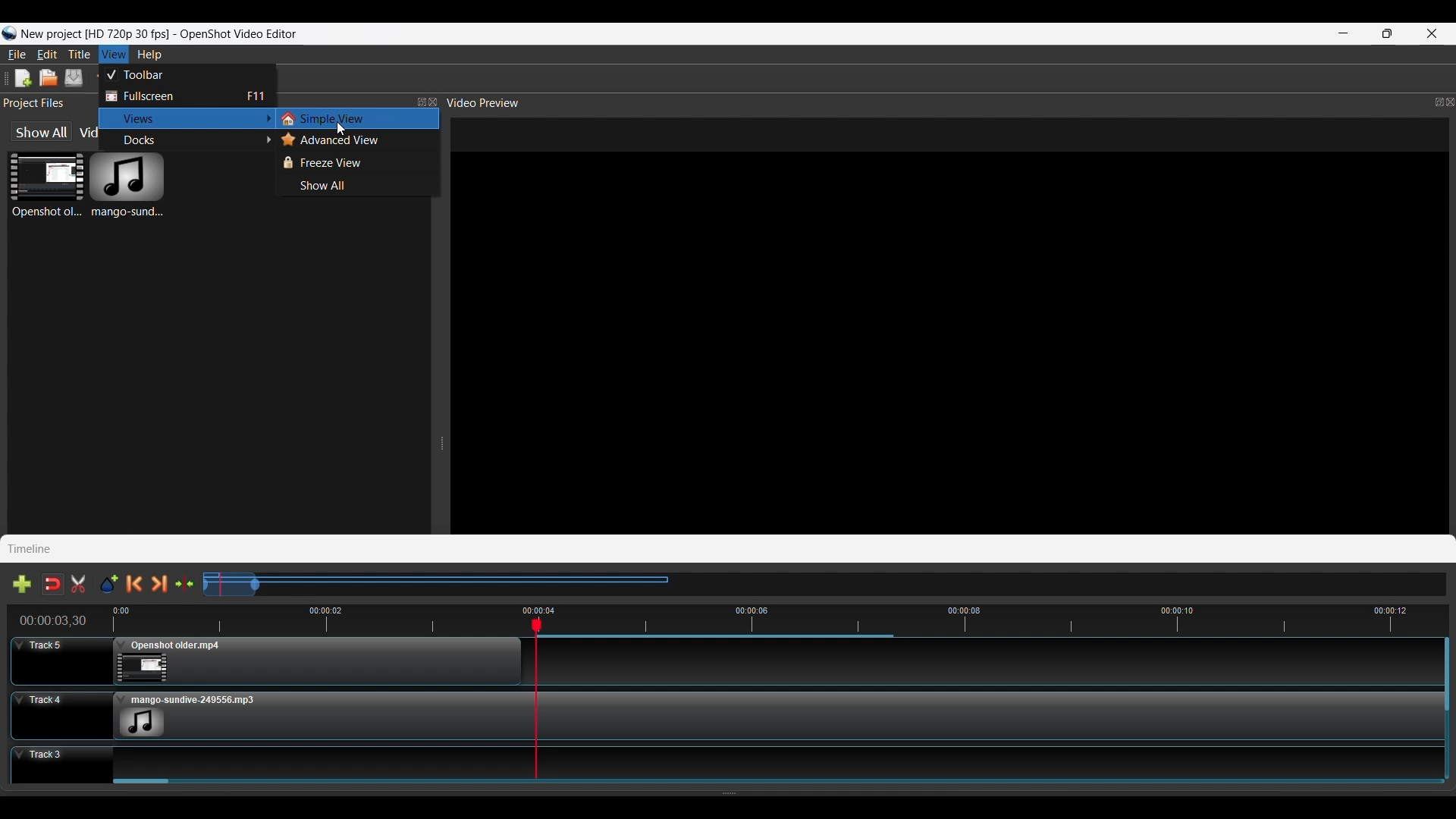  I want to click on Fullscreen, so click(186, 96).